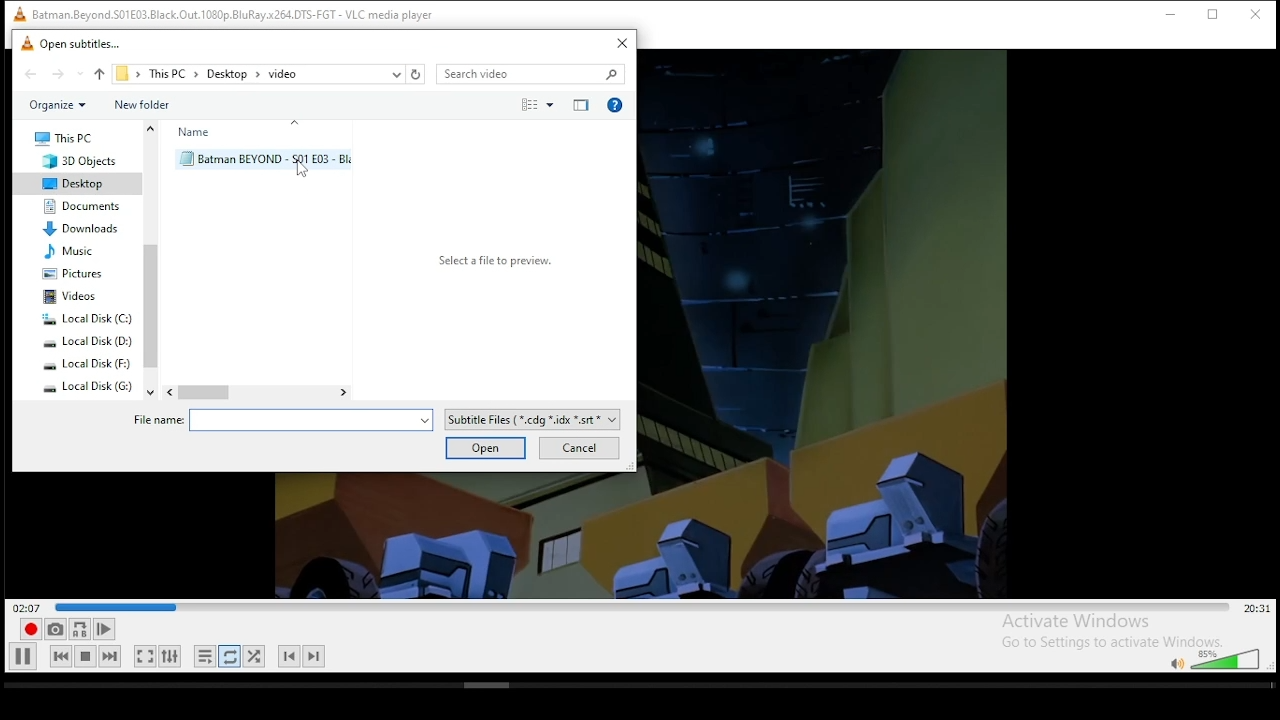  Describe the element at coordinates (643, 684) in the screenshot. I see `scrollbar` at that location.